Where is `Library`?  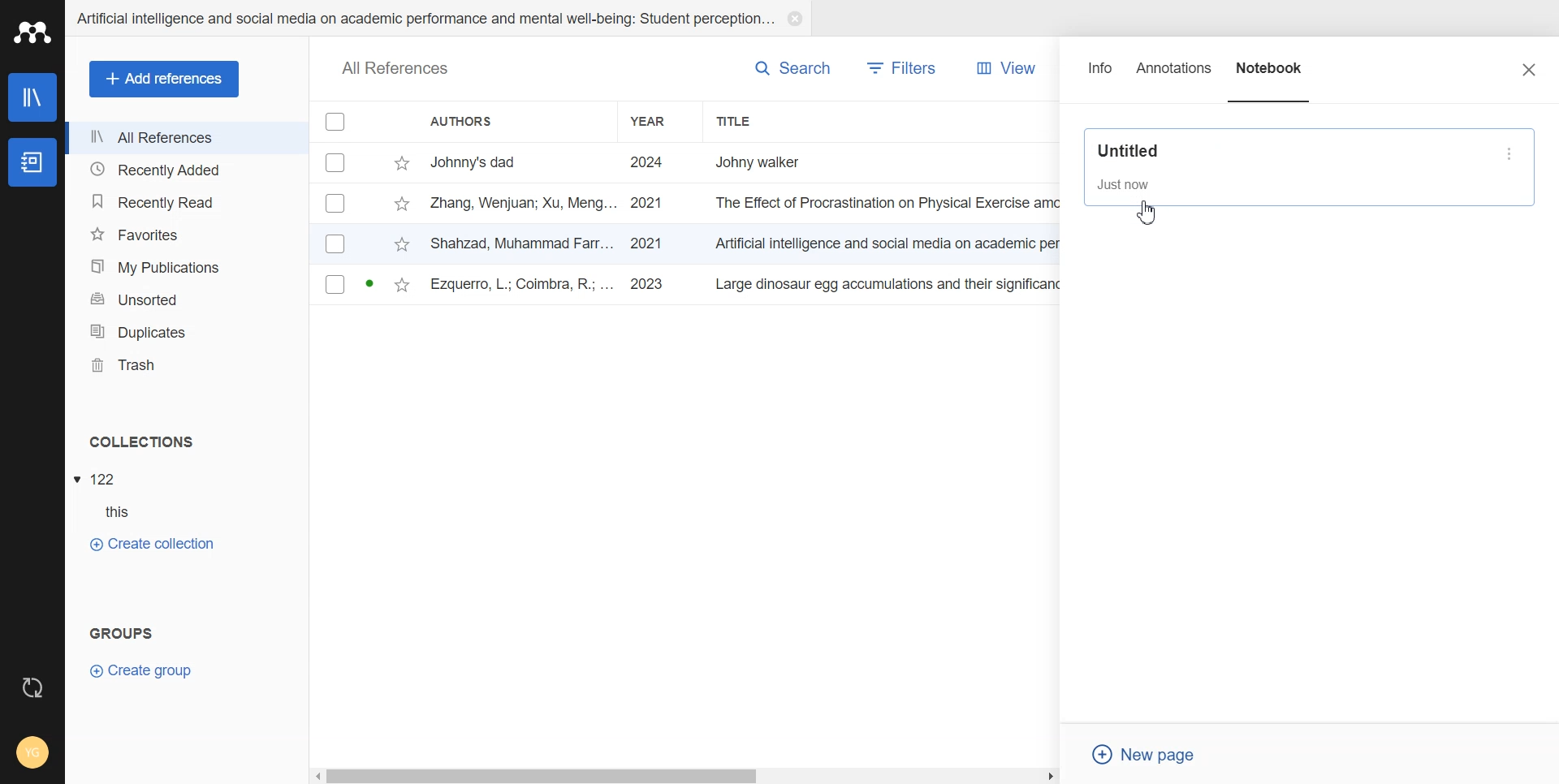
Library is located at coordinates (34, 97).